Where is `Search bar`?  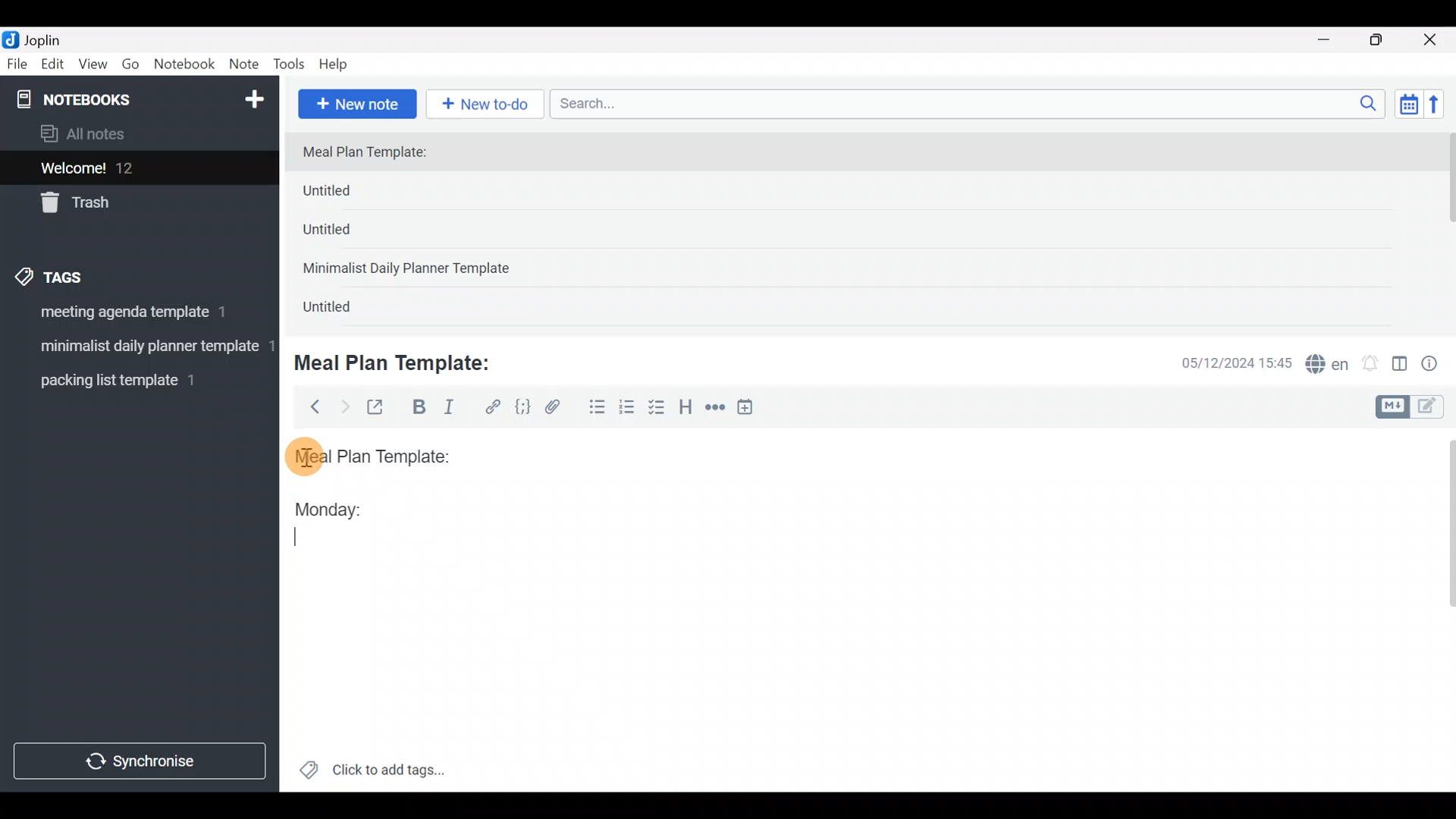
Search bar is located at coordinates (971, 102).